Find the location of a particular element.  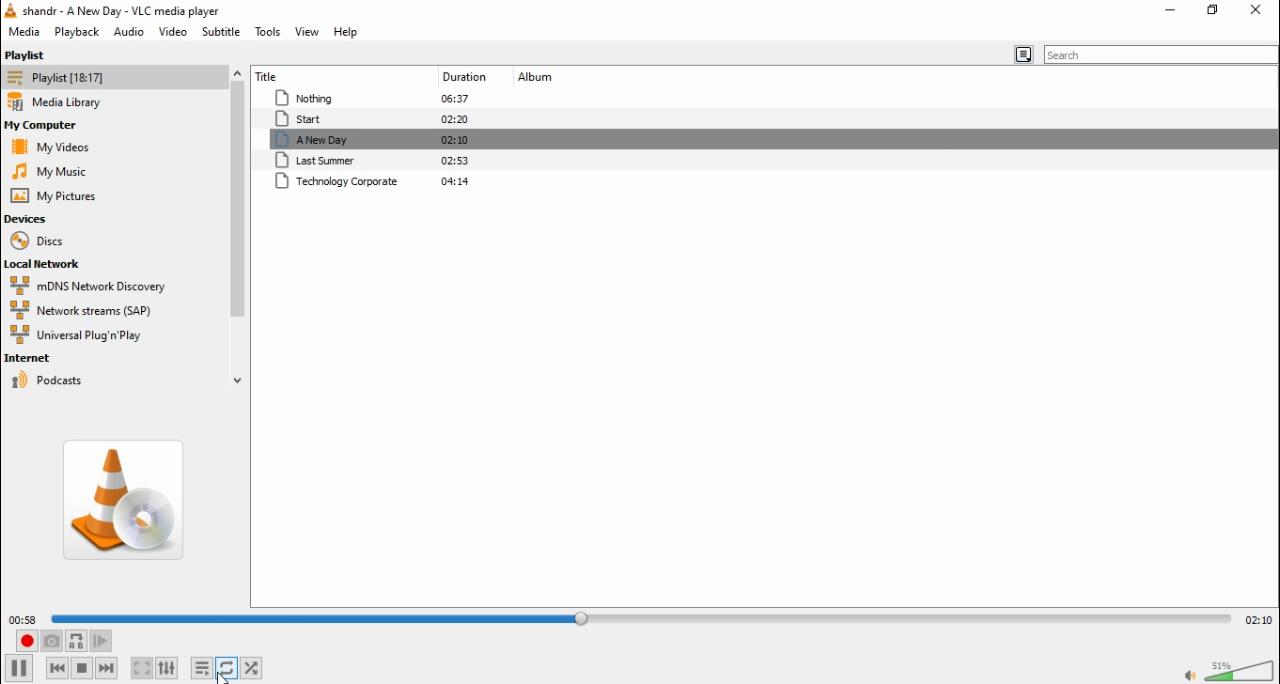

network streams is located at coordinates (87, 312).